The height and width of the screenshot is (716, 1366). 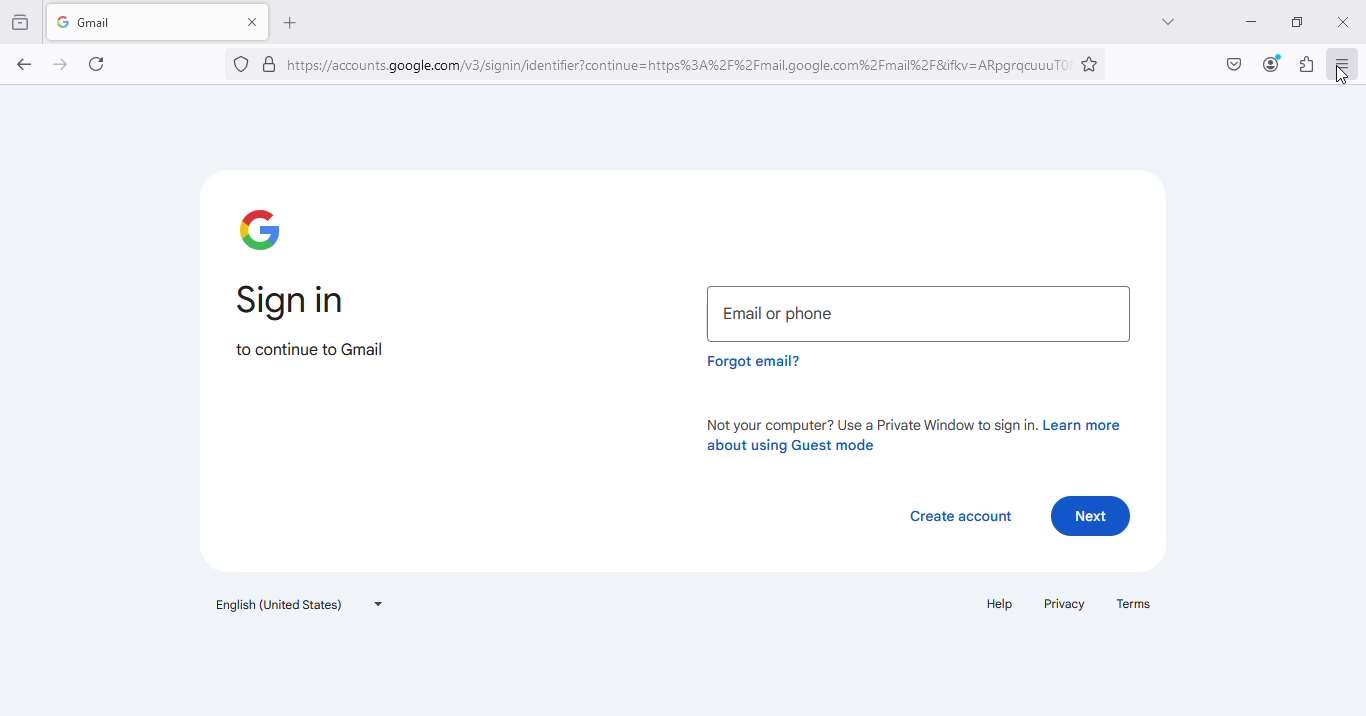 What do you see at coordinates (1091, 516) in the screenshot?
I see `next` at bounding box center [1091, 516].